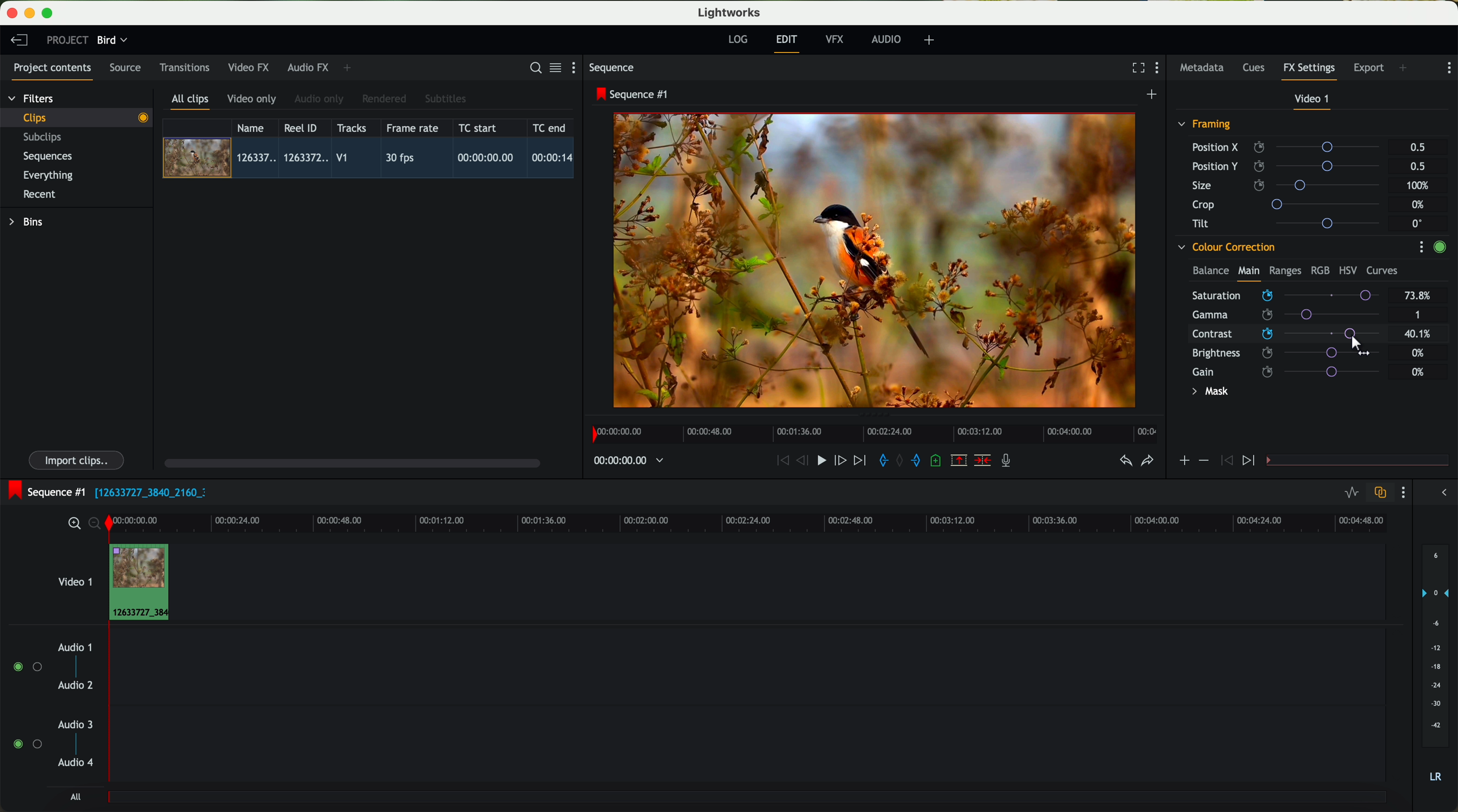 This screenshot has height=812, width=1458. What do you see at coordinates (842, 461) in the screenshot?
I see `nudge one frame foward` at bounding box center [842, 461].